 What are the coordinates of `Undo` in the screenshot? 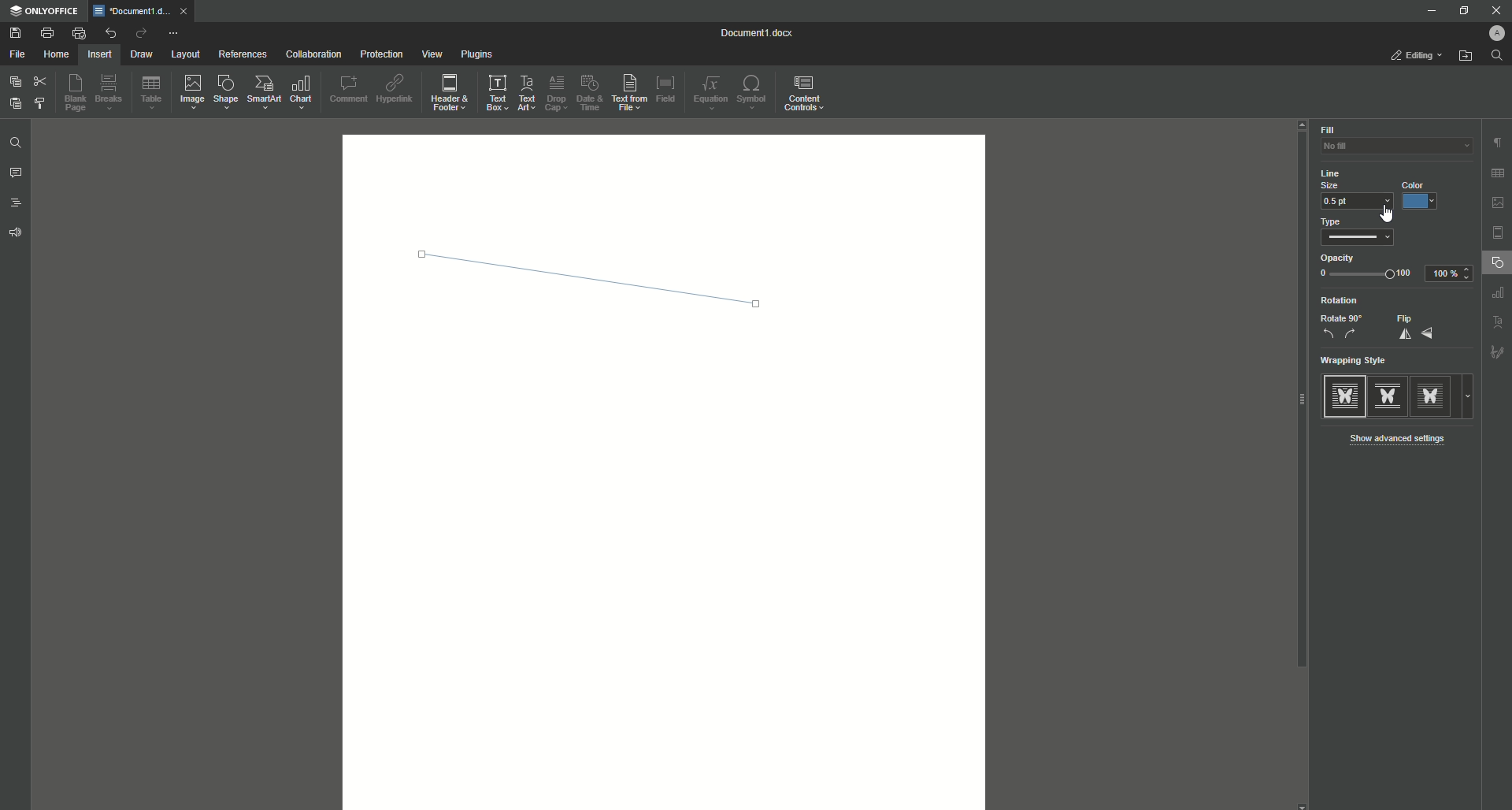 It's located at (109, 32).